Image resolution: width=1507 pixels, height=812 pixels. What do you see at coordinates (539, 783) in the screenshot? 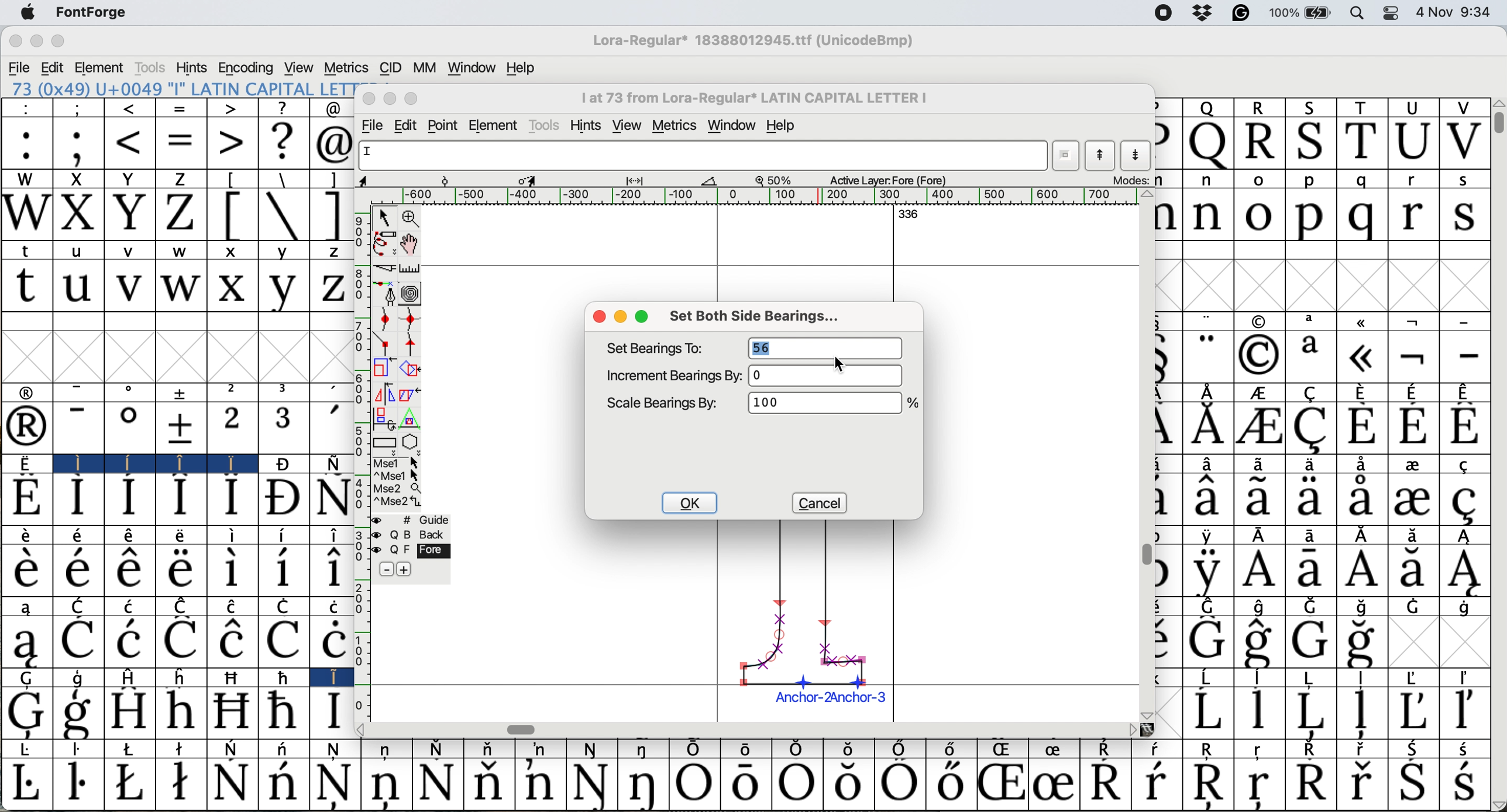
I see `Symbol` at bounding box center [539, 783].